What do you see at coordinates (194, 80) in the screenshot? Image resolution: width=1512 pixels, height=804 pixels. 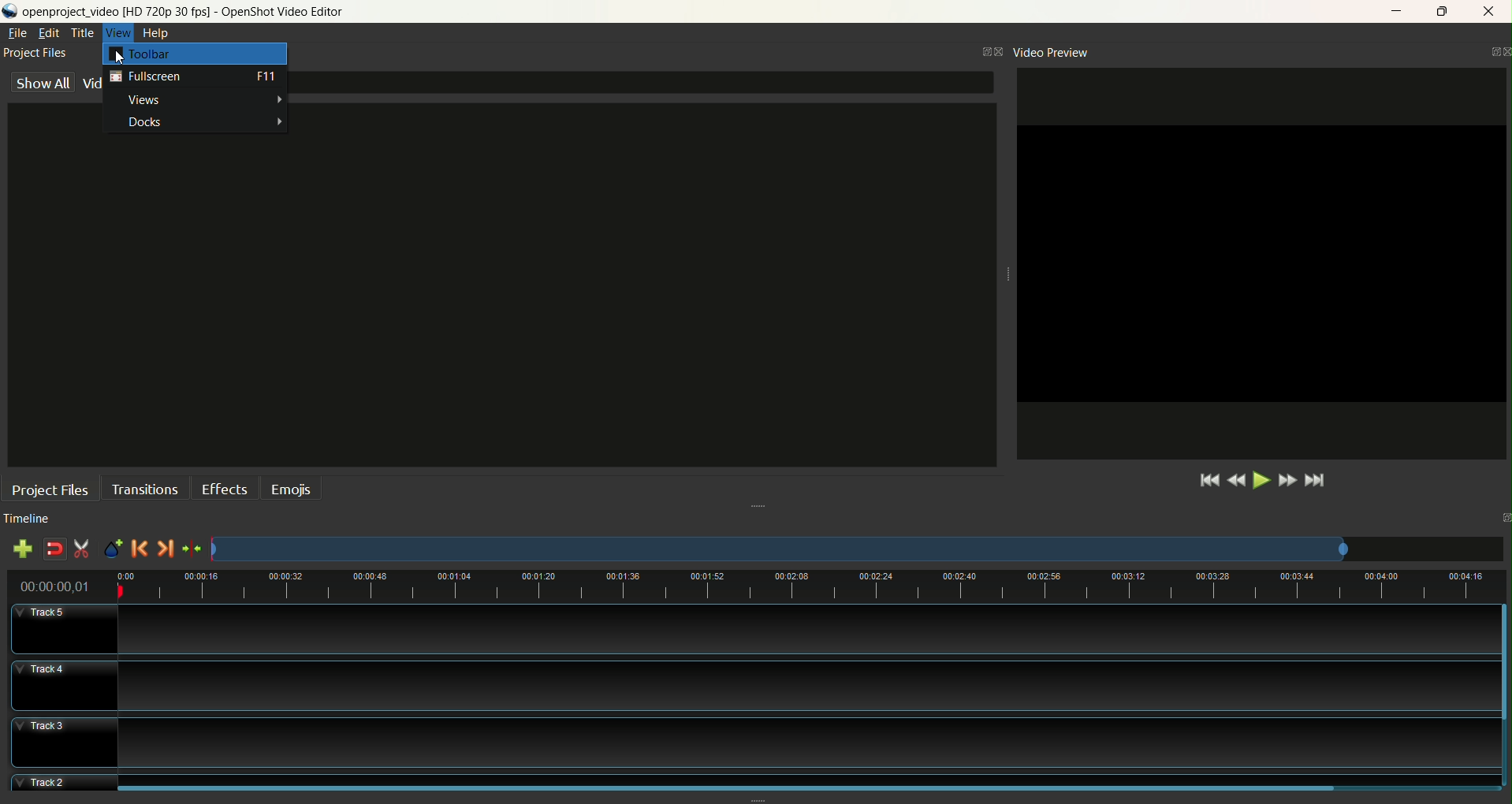 I see `fullscreen` at bounding box center [194, 80].